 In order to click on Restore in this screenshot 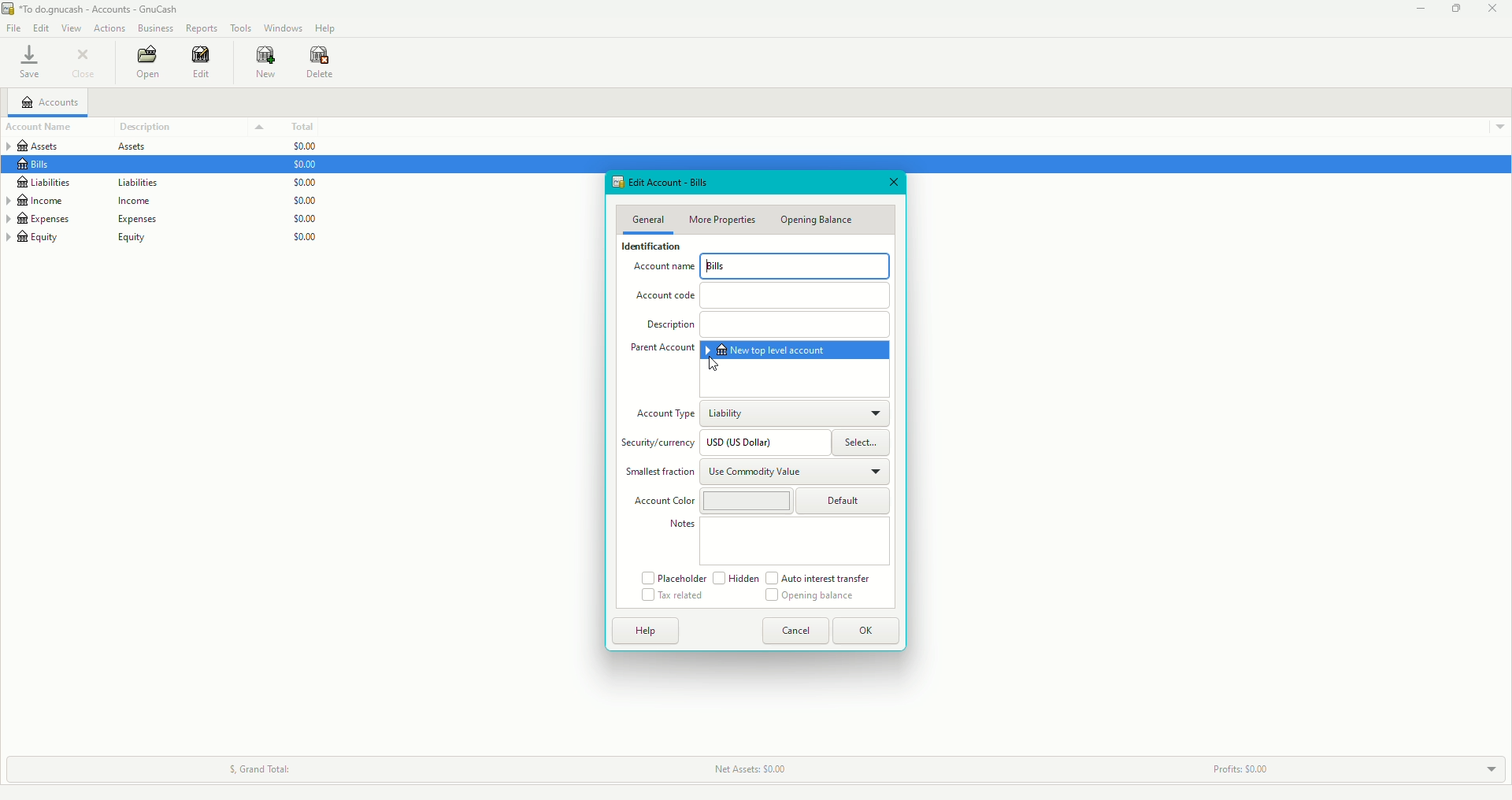, I will do `click(1455, 9)`.